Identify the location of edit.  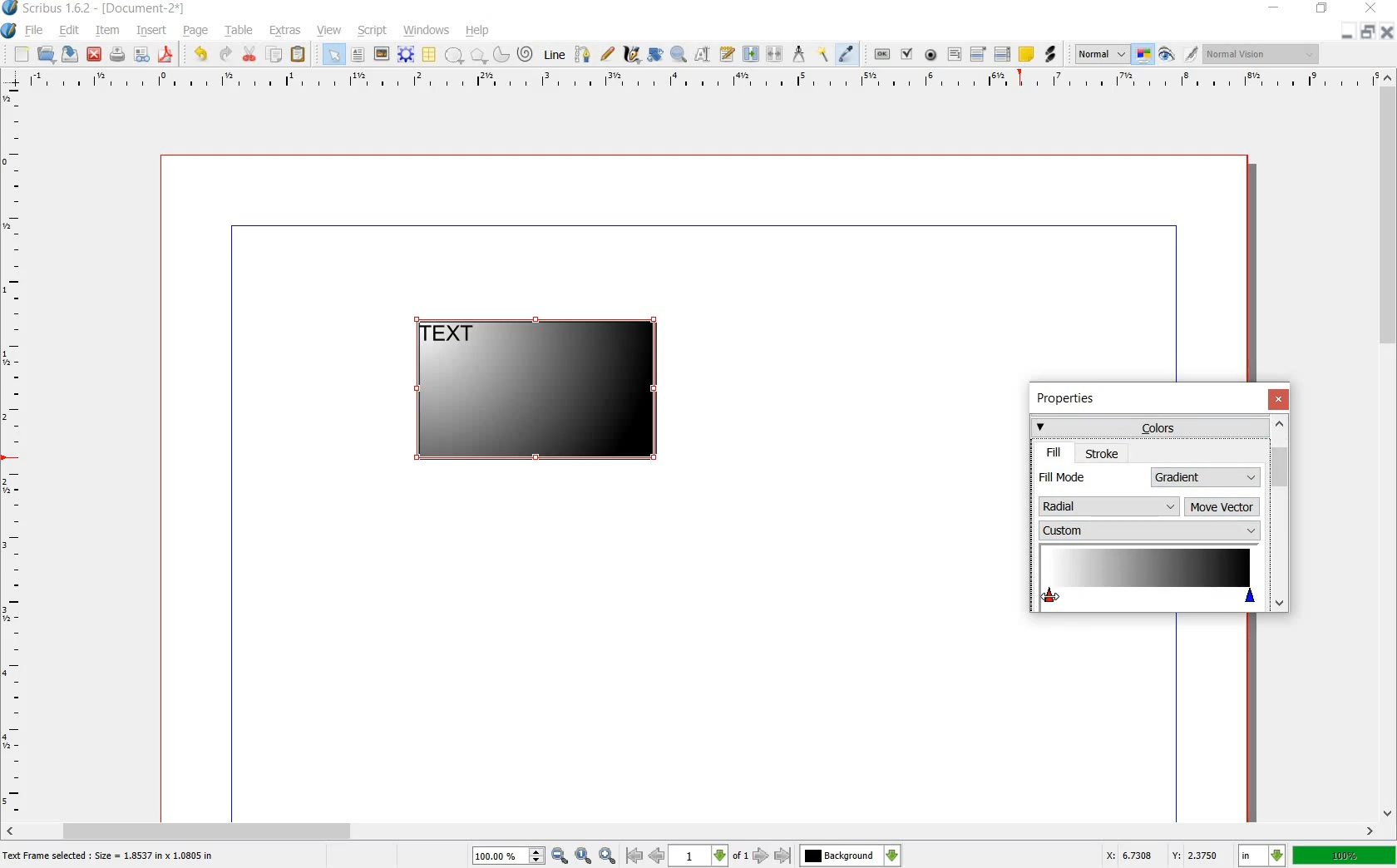
(70, 31).